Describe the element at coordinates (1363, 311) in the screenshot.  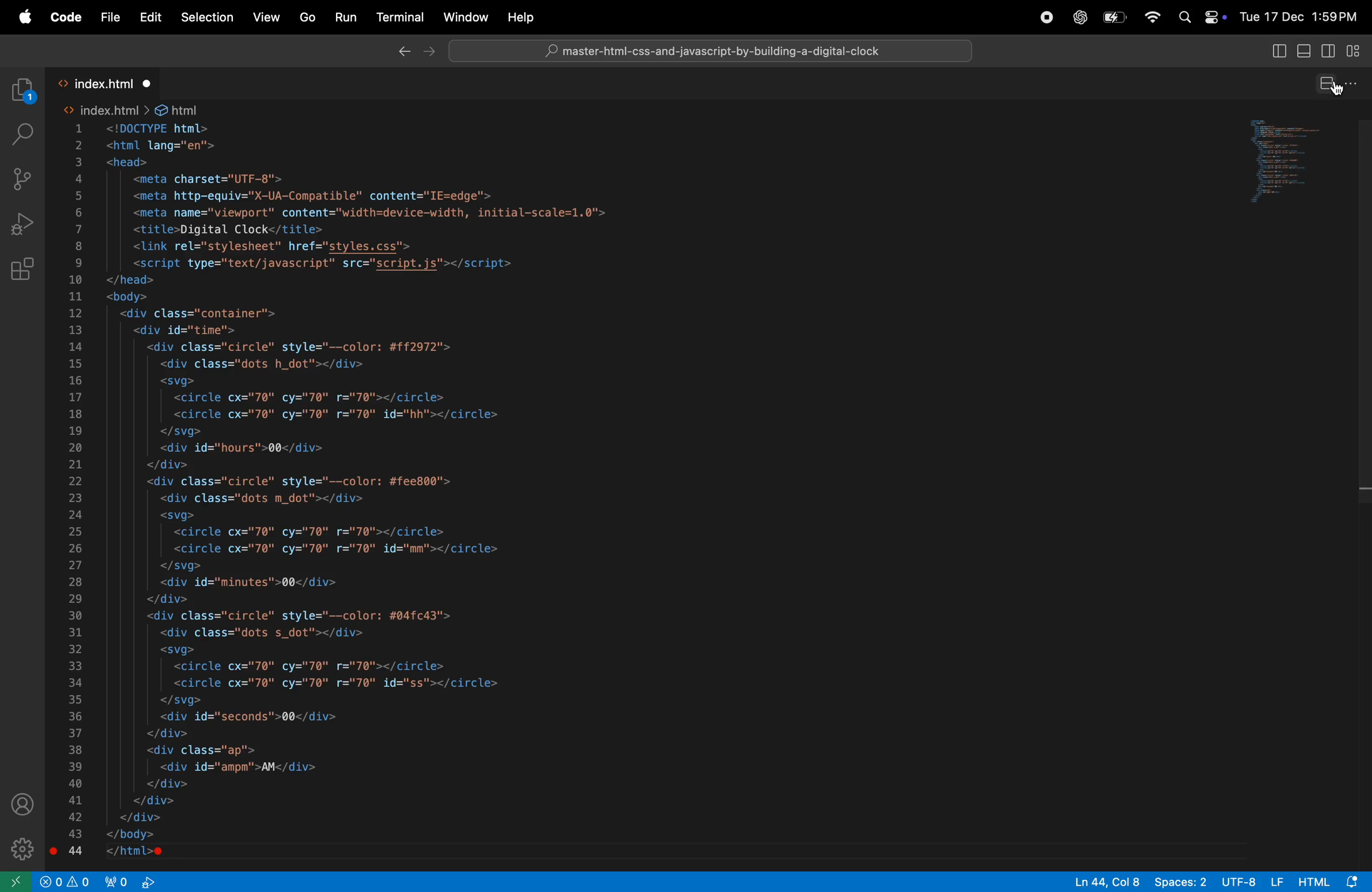
I see `Vertical scroll bar` at that location.